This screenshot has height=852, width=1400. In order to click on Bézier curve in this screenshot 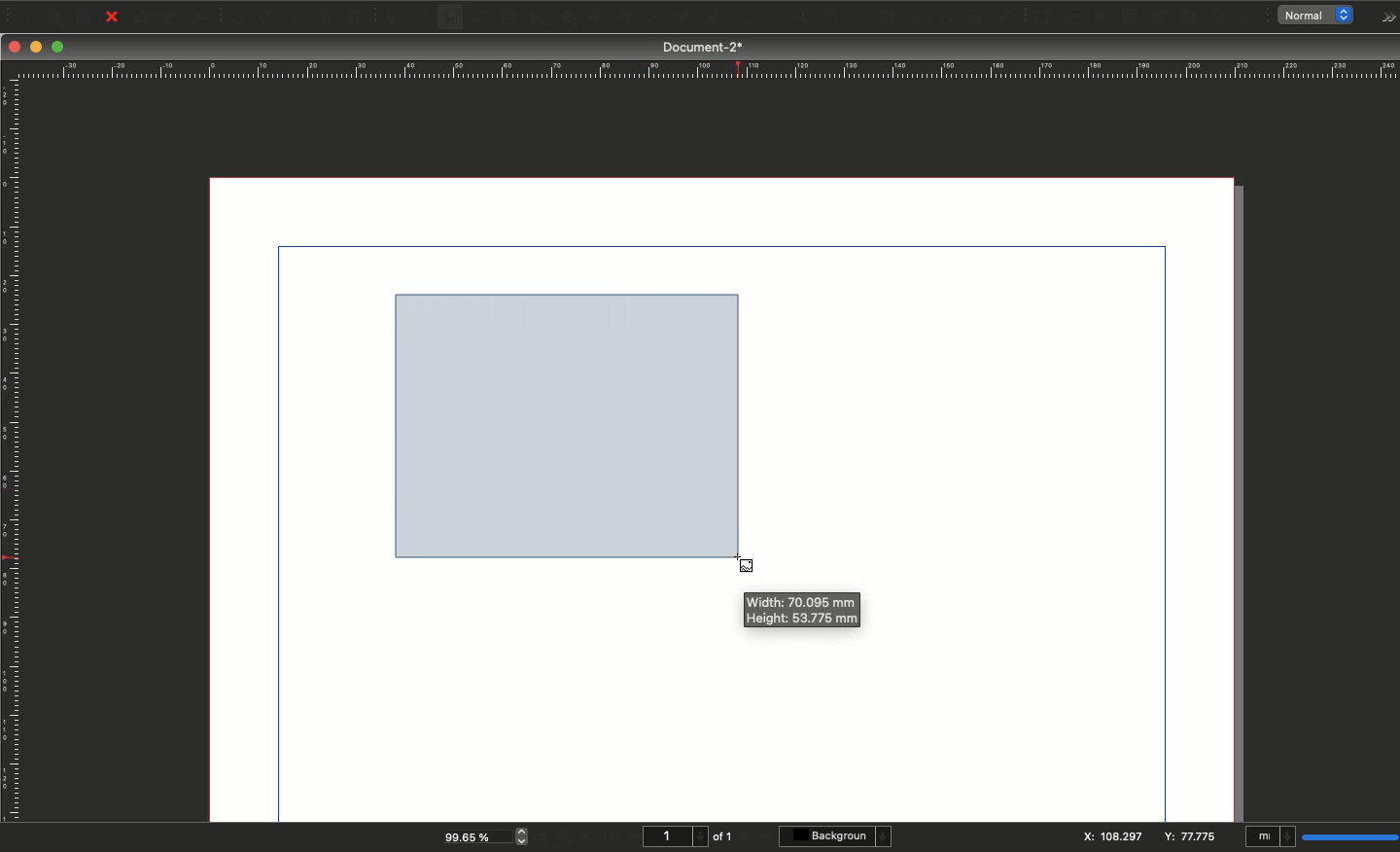, I will do `click(681, 18)`.